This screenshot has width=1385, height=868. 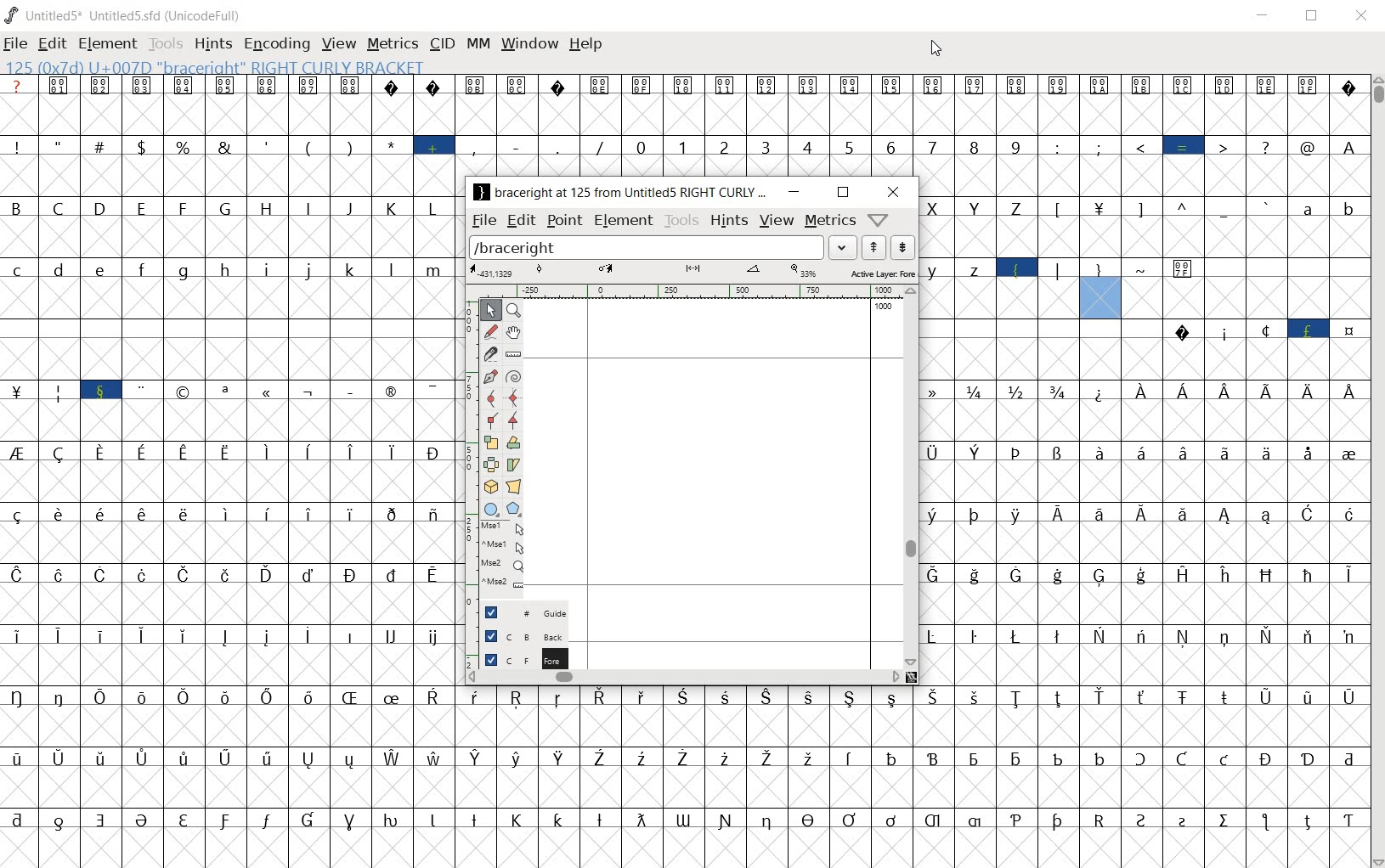 I want to click on glyph characters, so click(x=1144, y=502).